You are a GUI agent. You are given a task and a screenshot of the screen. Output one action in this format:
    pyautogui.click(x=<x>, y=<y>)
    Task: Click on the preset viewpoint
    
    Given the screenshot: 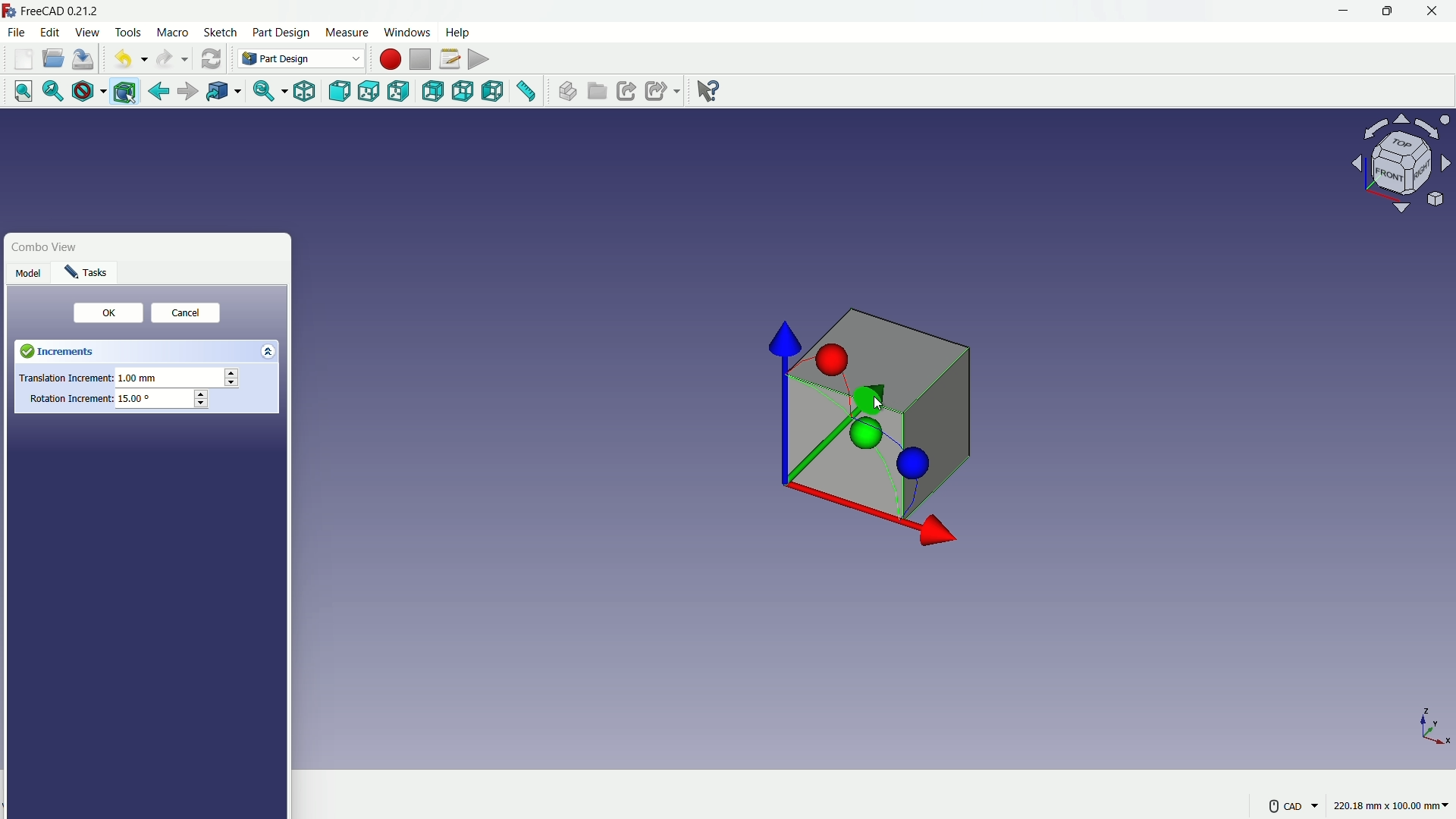 What is the action you would take?
    pyautogui.click(x=1406, y=171)
    